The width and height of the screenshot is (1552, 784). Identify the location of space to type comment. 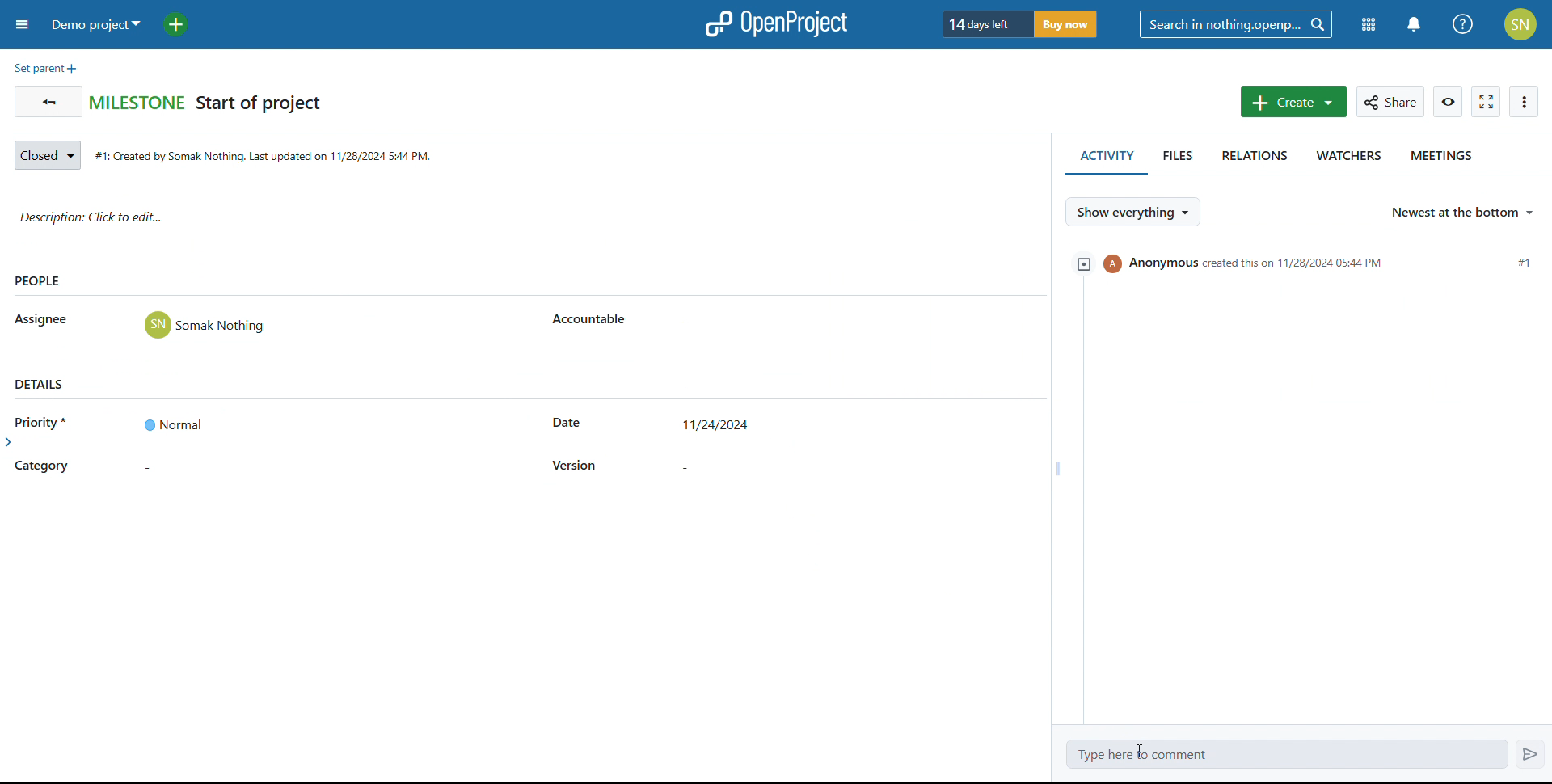
(1288, 755).